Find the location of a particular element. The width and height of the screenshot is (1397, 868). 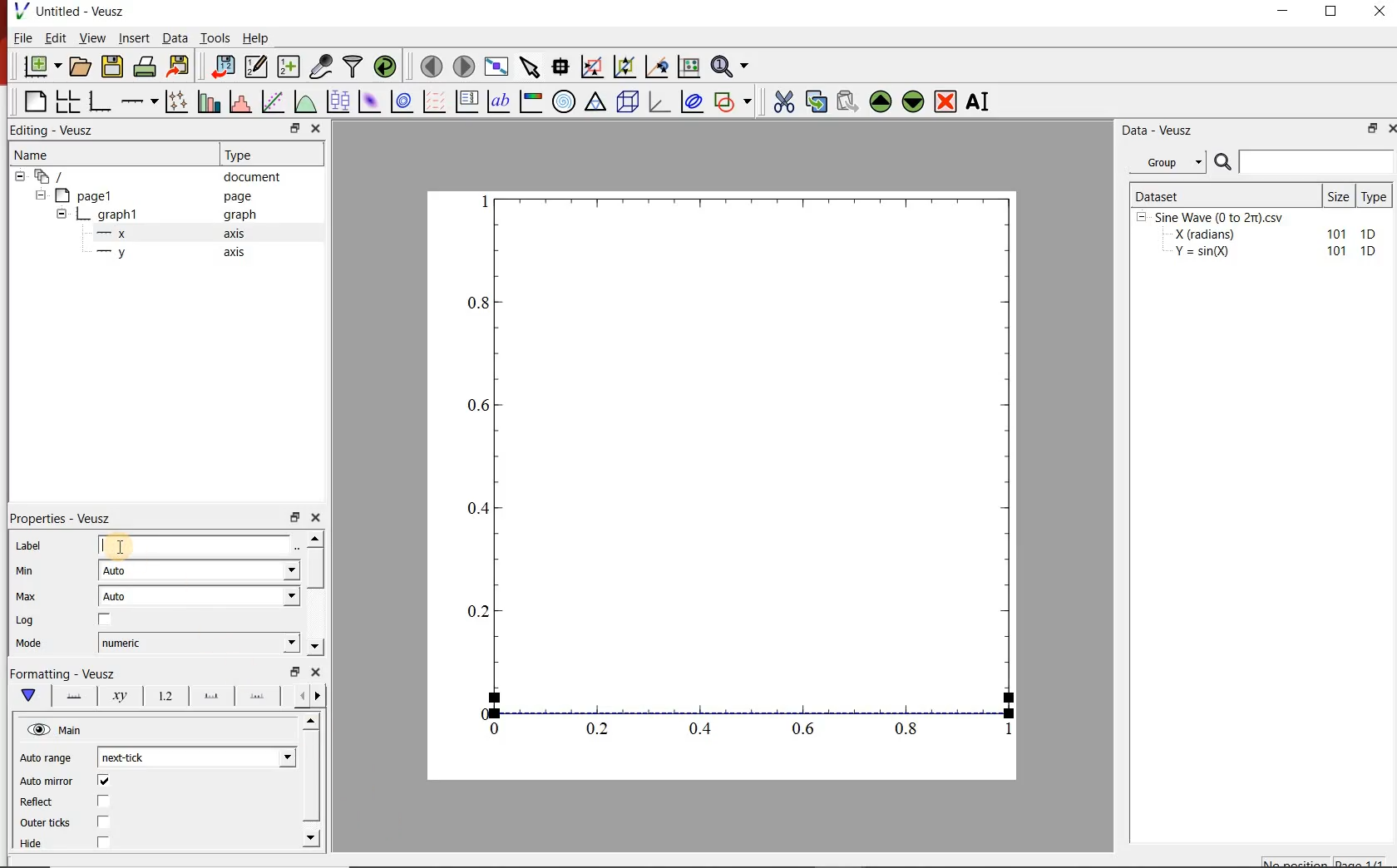

Type is located at coordinates (1377, 195).